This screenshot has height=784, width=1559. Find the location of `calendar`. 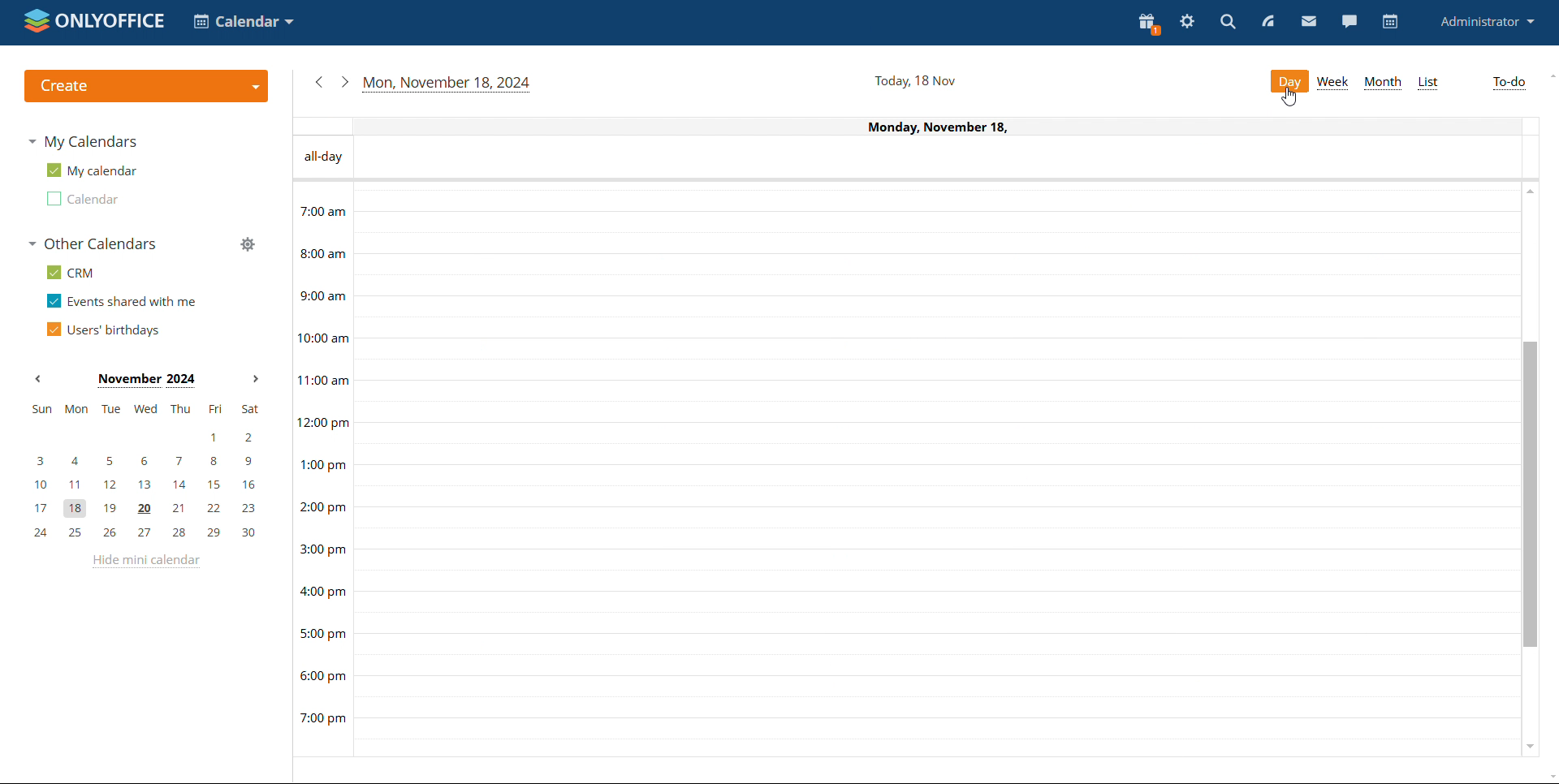

calendar is located at coordinates (1389, 21).